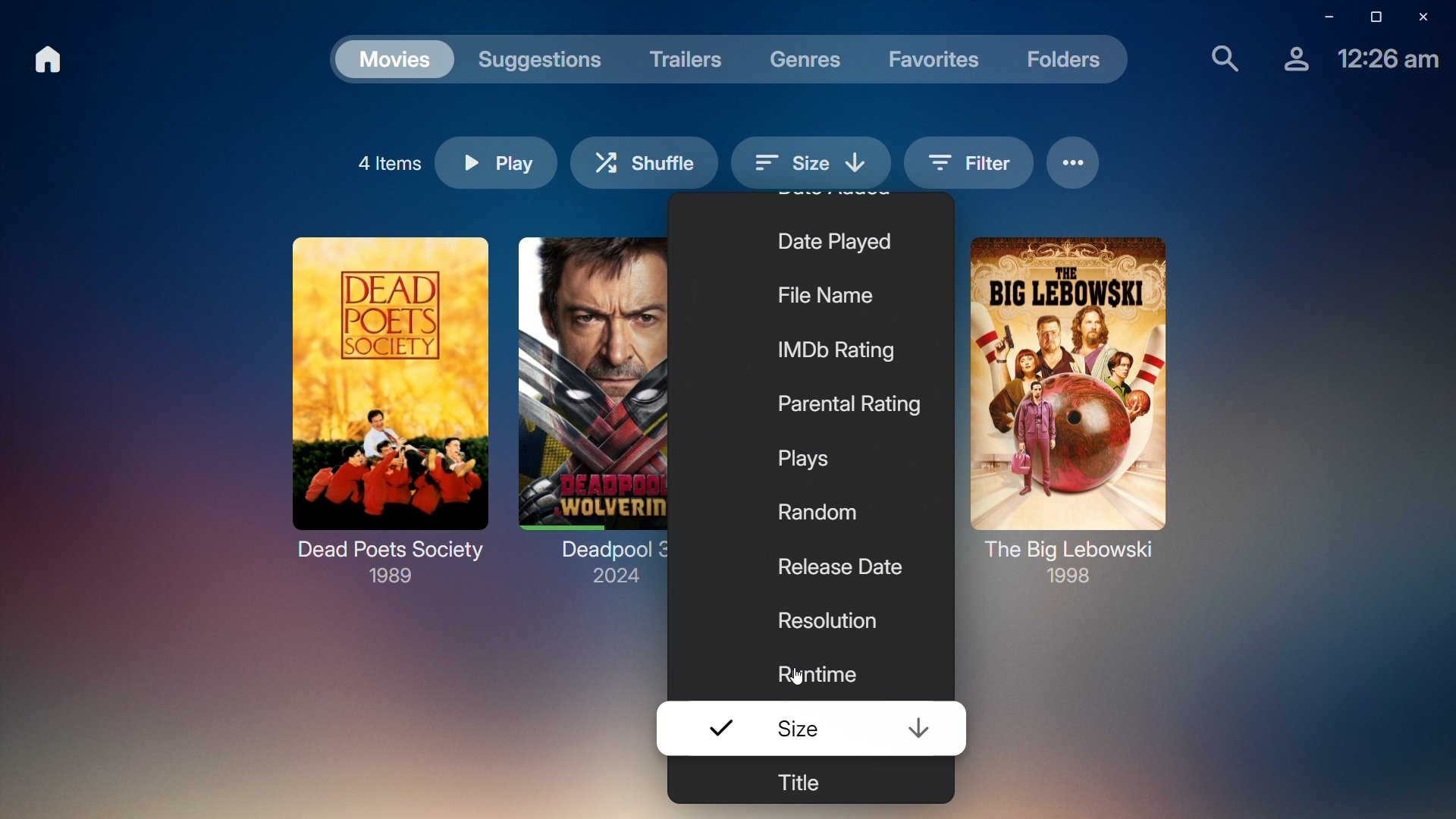 This screenshot has height=819, width=1456. I want to click on Release Date, so click(836, 573).